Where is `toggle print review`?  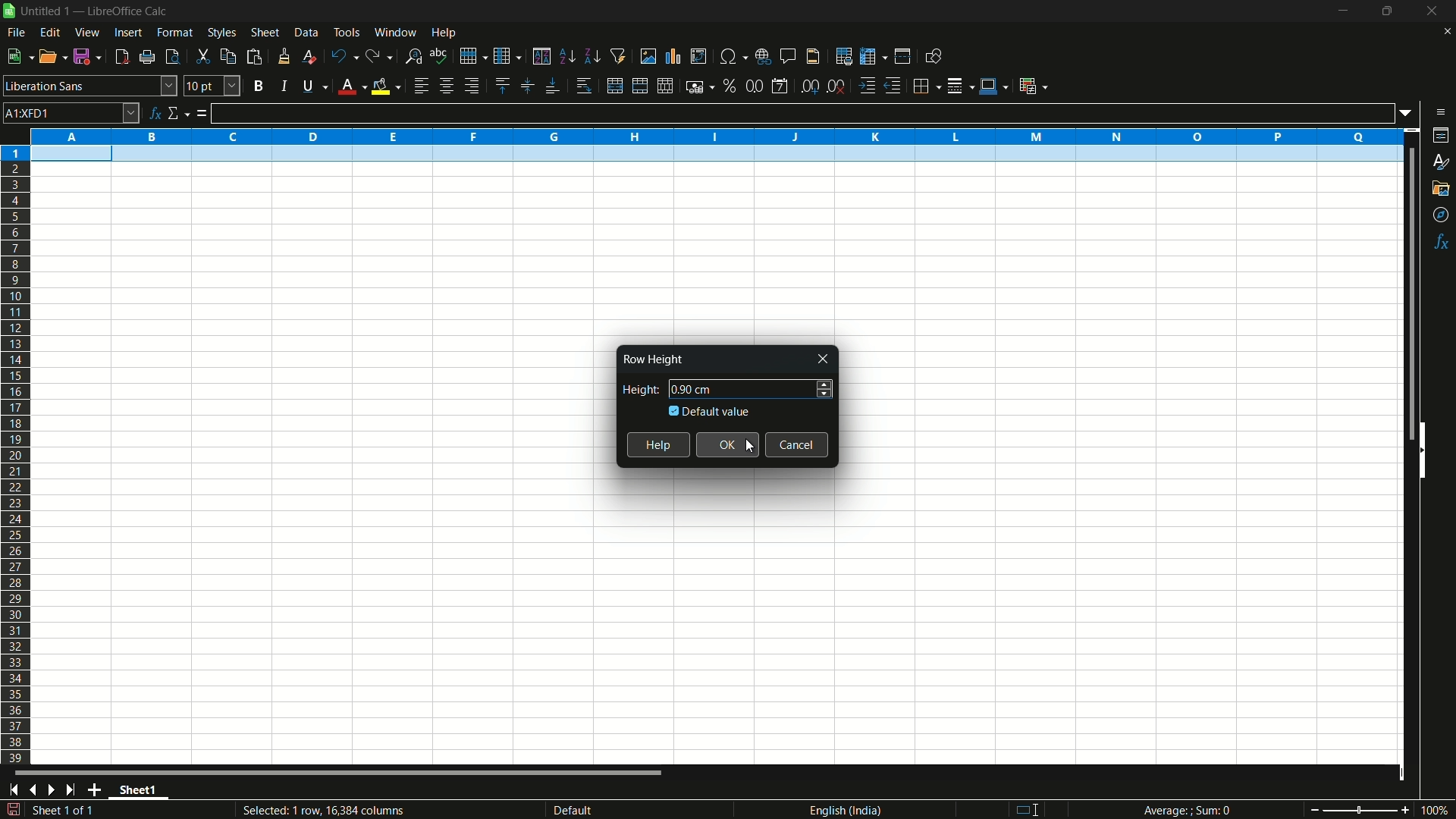
toggle print review is located at coordinates (171, 57).